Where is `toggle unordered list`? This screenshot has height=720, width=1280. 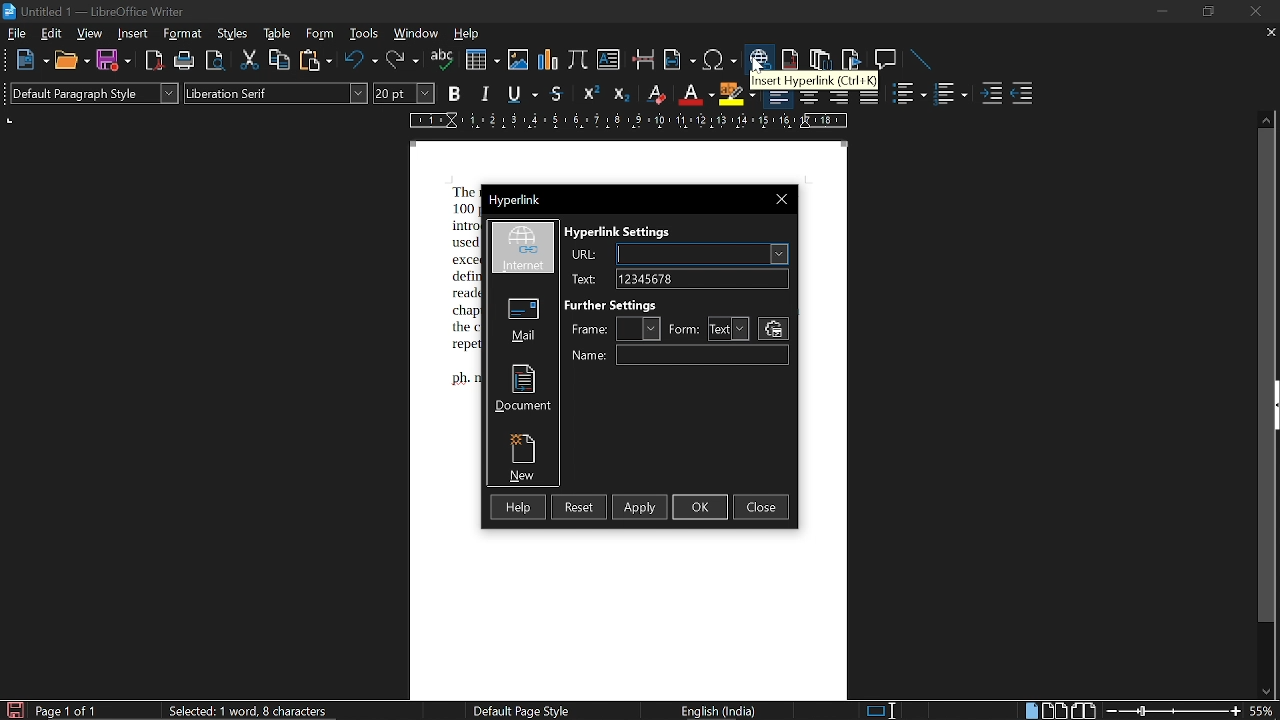
toggle unordered list is located at coordinates (909, 96).